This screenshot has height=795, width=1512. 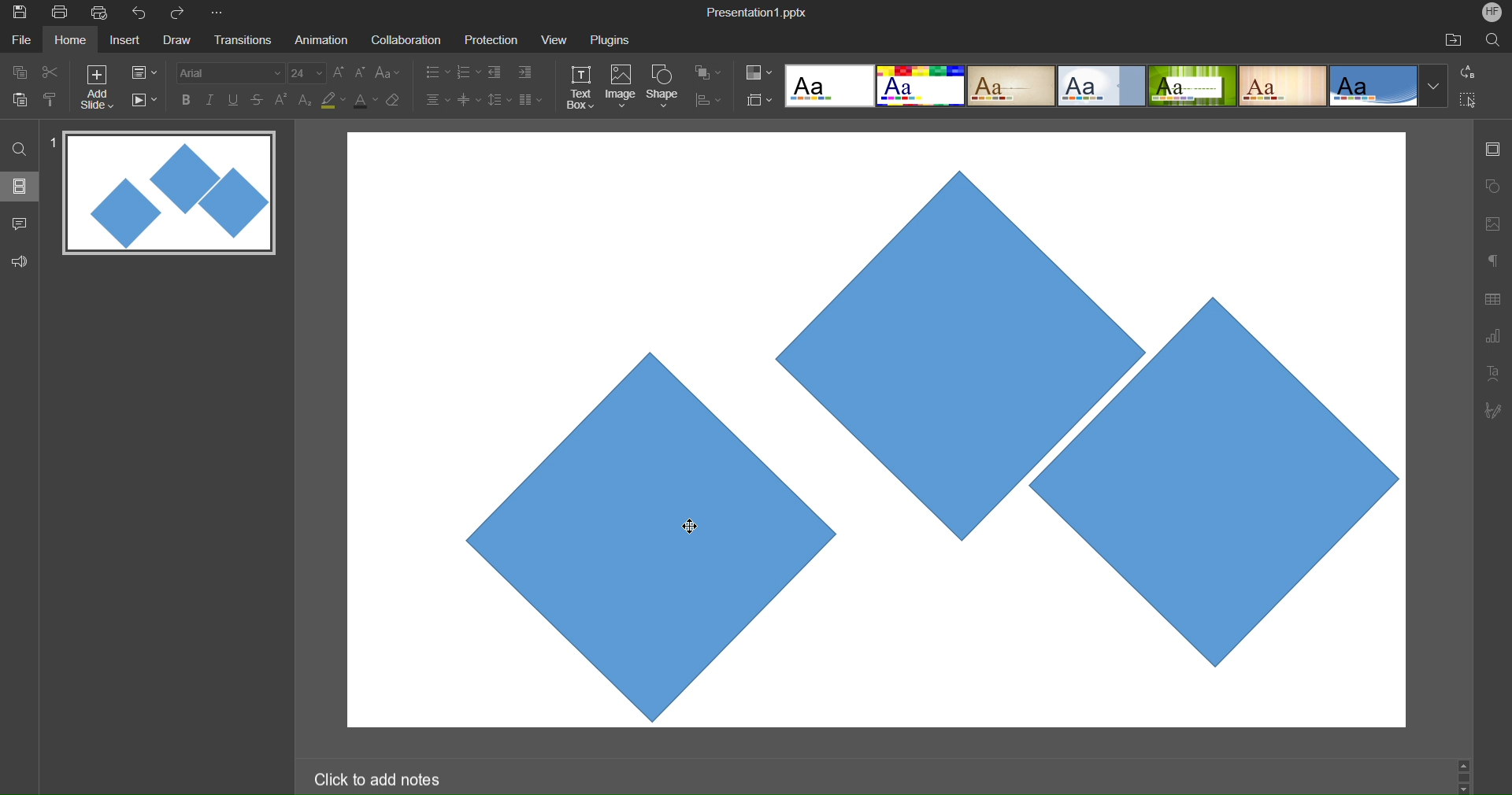 I want to click on support, so click(x=24, y=260).